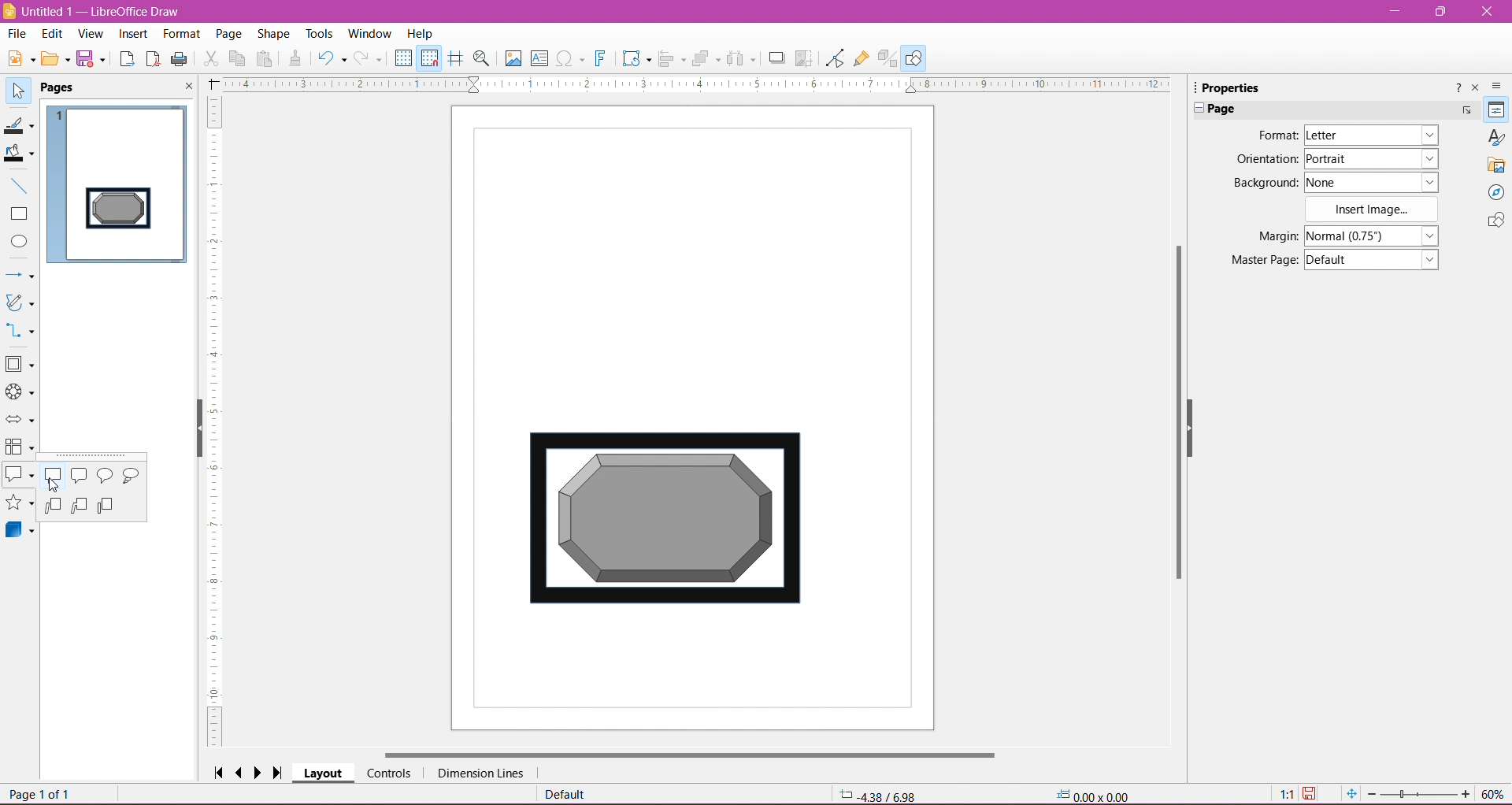  Describe the element at coordinates (539, 58) in the screenshot. I see `Insert Textbox` at that location.